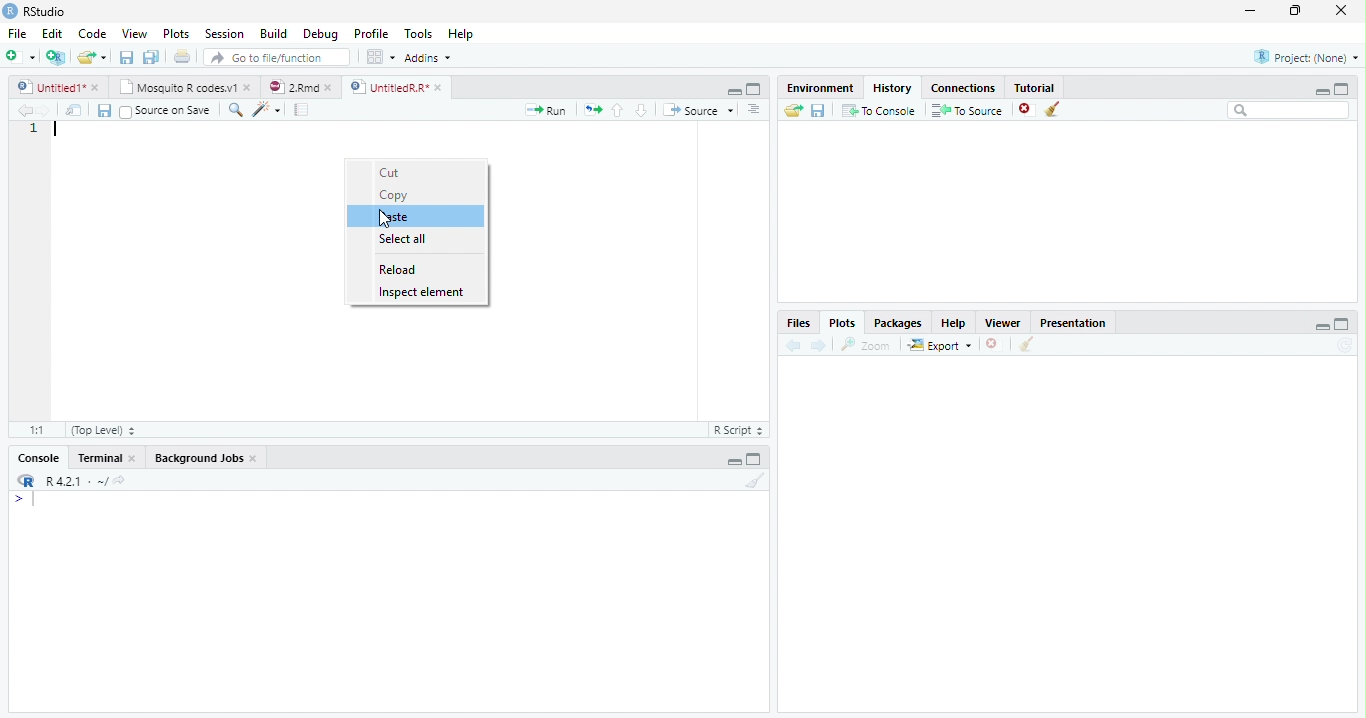 The width and height of the screenshot is (1366, 718). Describe the element at coordinates (1026, 345) in the screenshot. I see `Clean` at that location.